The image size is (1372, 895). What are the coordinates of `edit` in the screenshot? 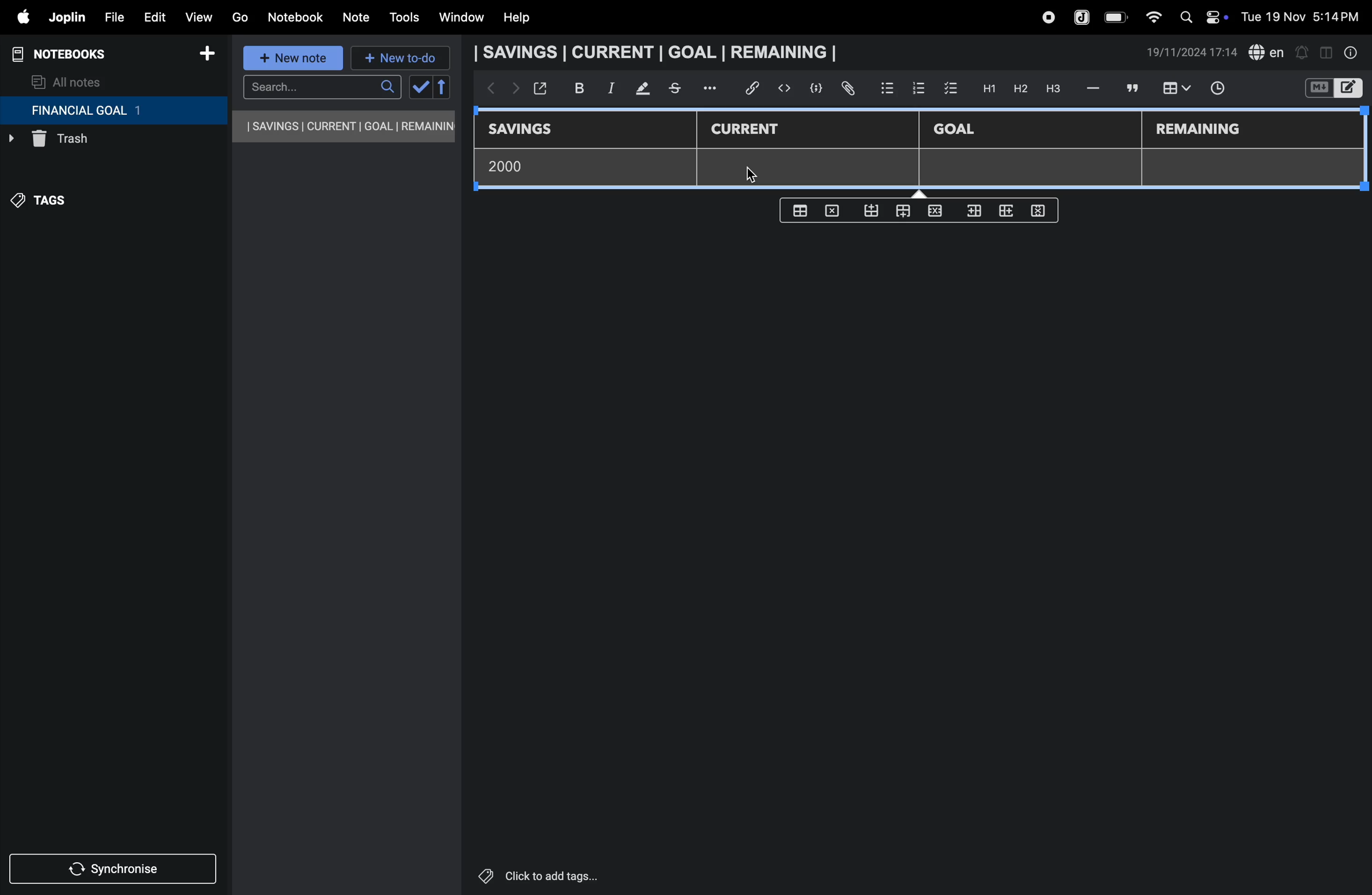 It's located at (149, 14).